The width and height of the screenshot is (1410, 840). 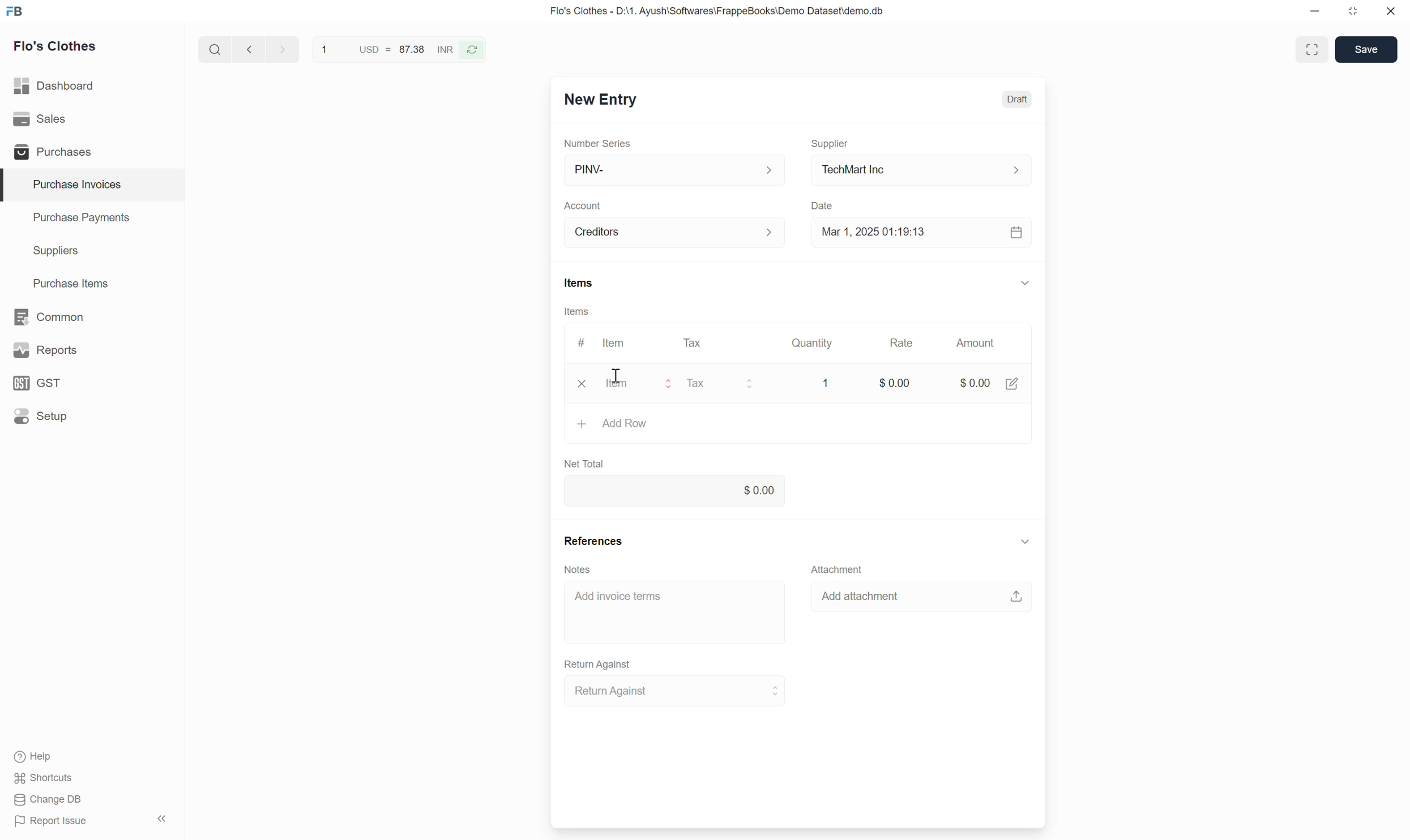 I want to click on edit, so click(x=1012, y=384).